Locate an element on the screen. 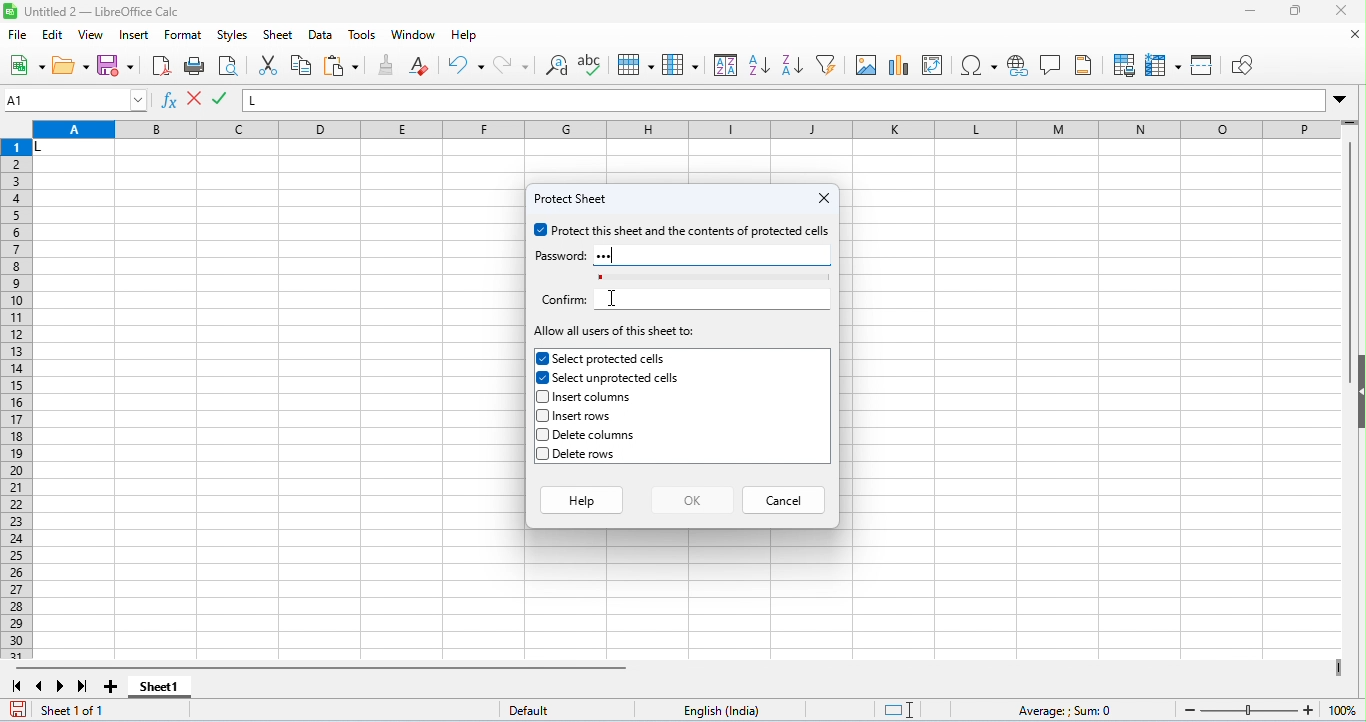 This screenshot has width=1366, height=722. column is located at coordinates (680, 64).